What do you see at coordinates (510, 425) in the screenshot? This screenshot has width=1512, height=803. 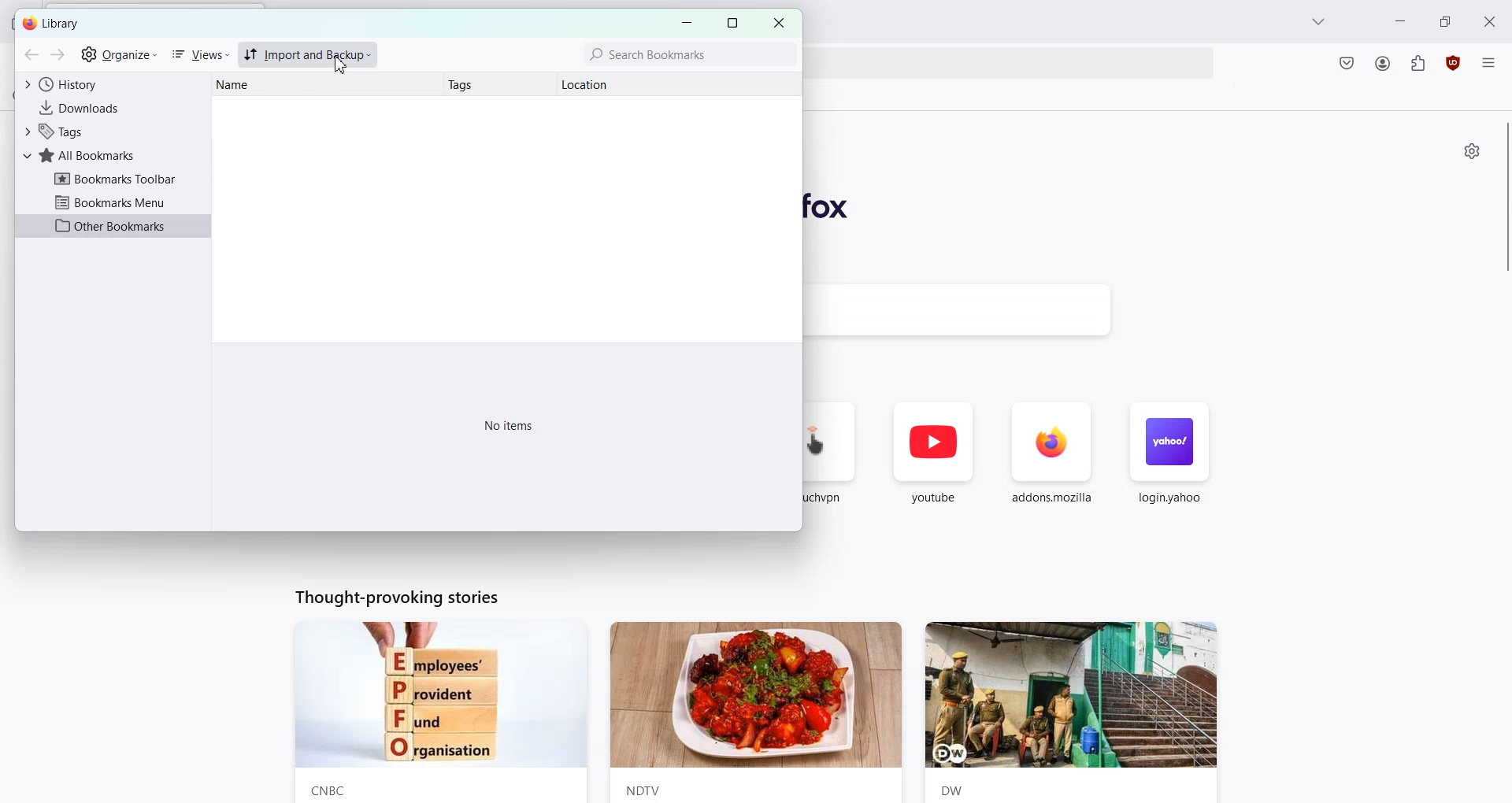 I see `Text` at bounding box center [510, 425].